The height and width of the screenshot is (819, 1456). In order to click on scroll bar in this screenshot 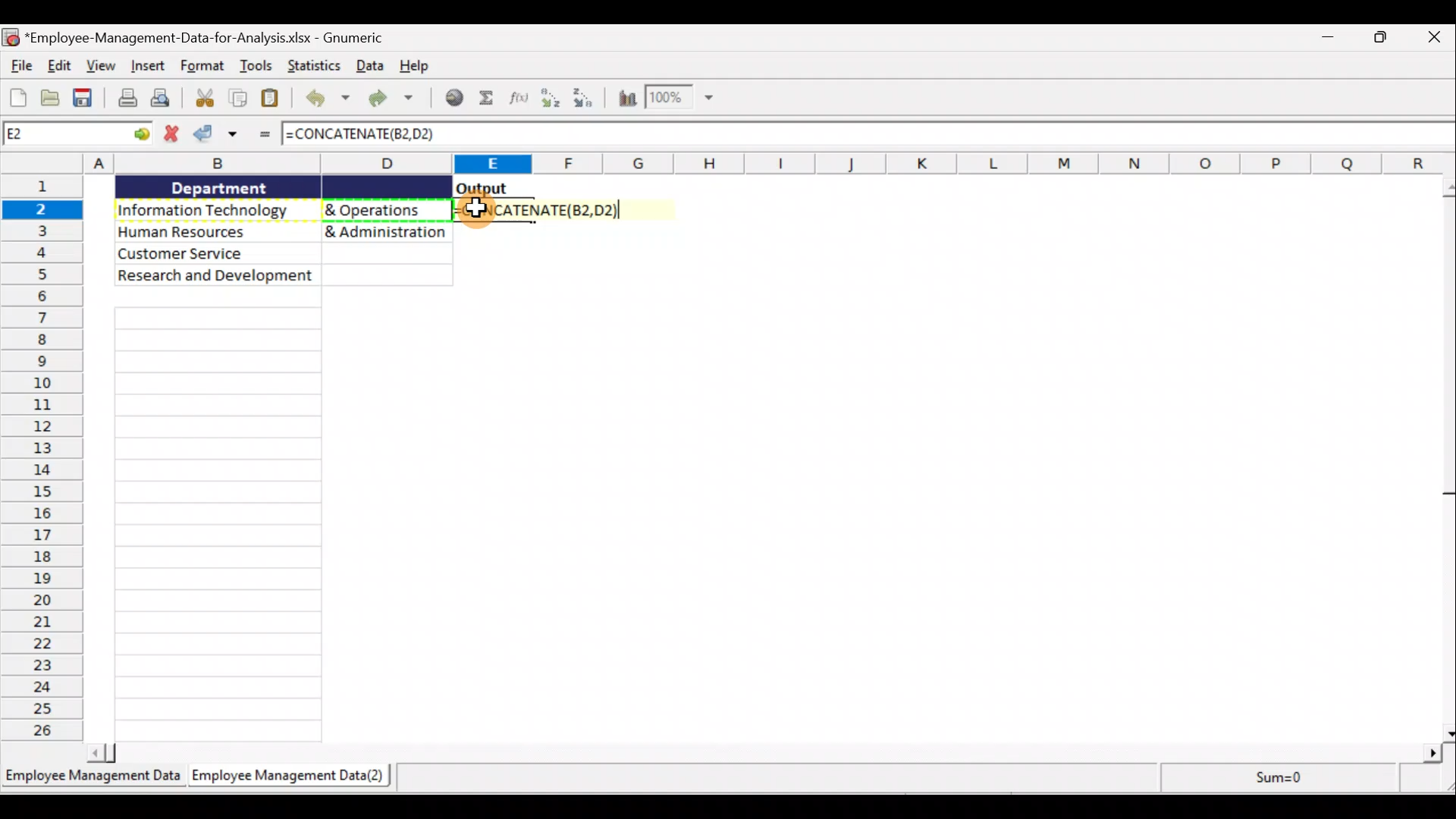, I will do `click(766, 753)`.